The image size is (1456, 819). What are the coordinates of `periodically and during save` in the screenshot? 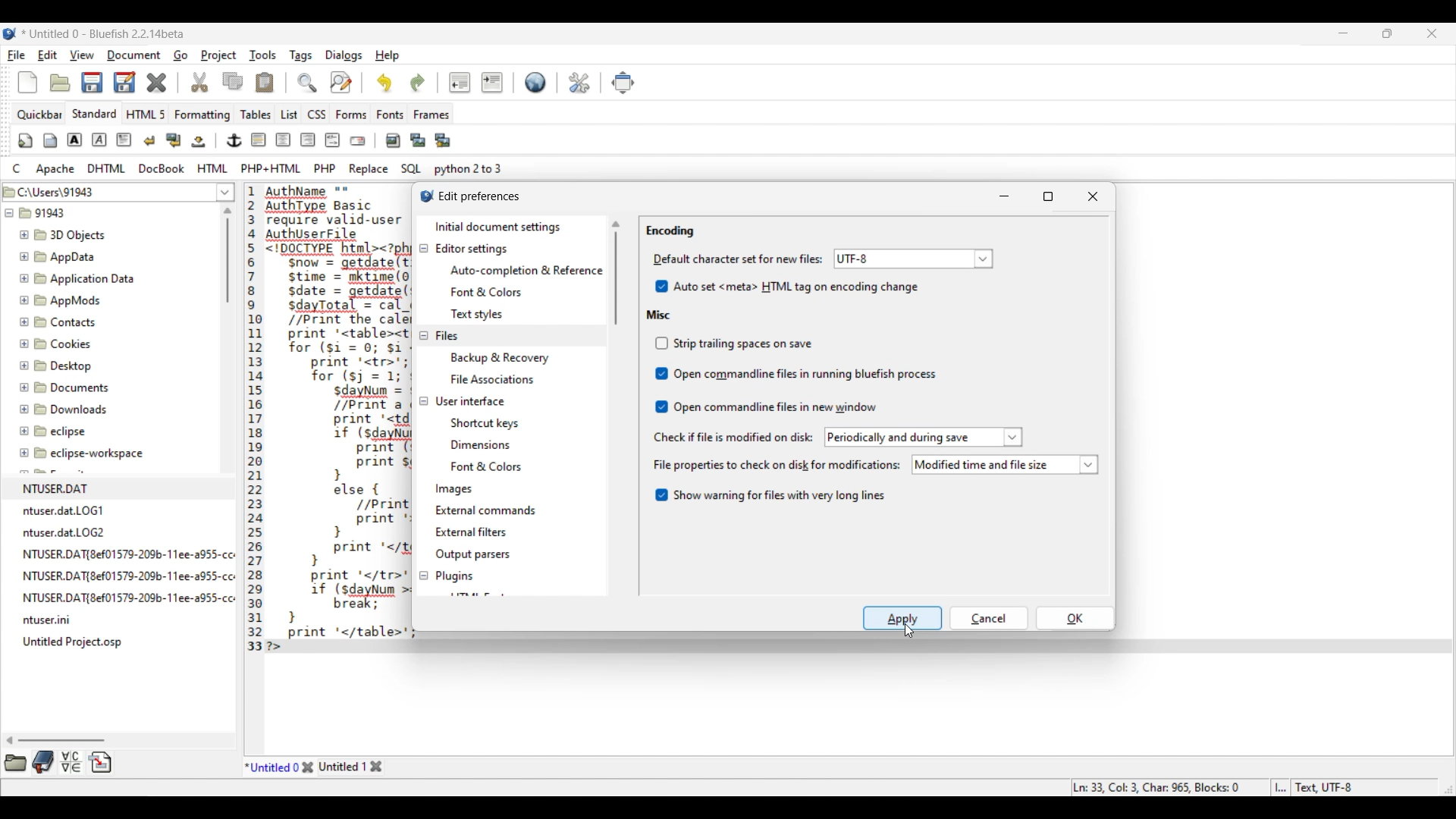 It's located at (924, 438).